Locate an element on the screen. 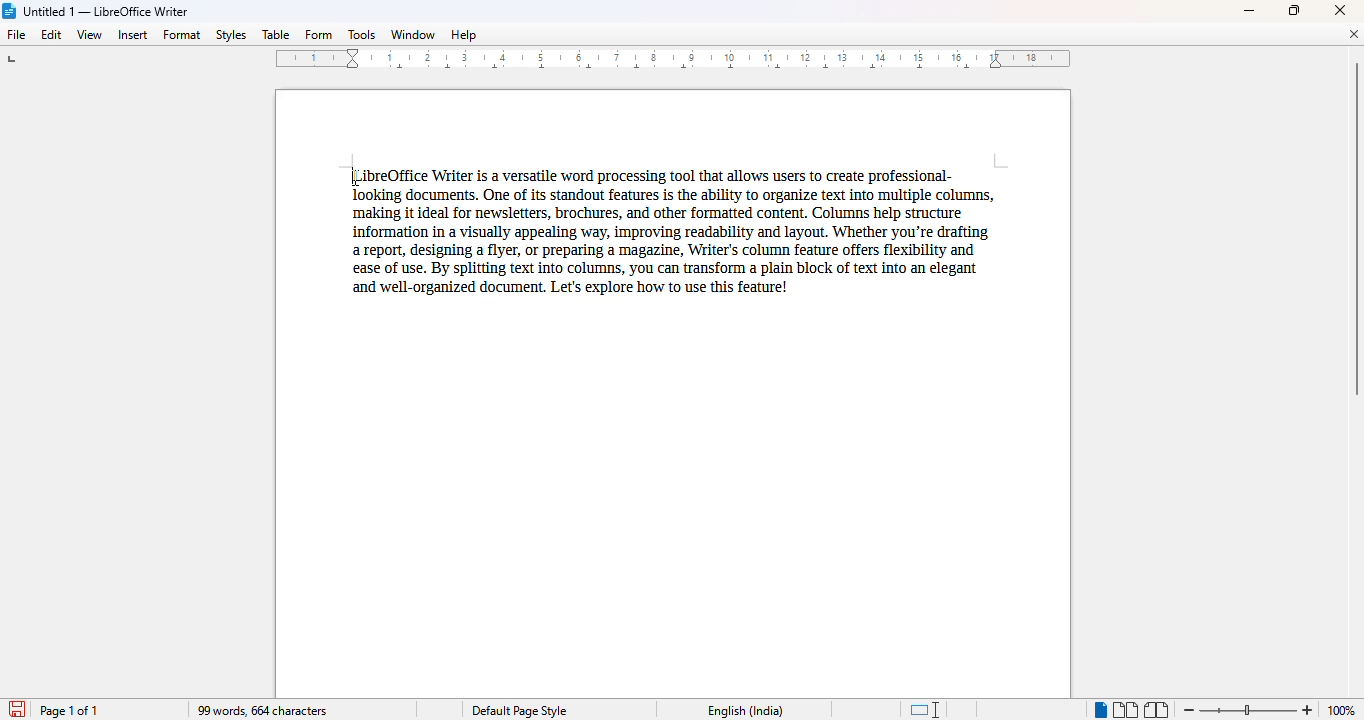 Image resolution: width=1364 pixels, height=720 pixels. English (India) is located at coordinates (745, 711).